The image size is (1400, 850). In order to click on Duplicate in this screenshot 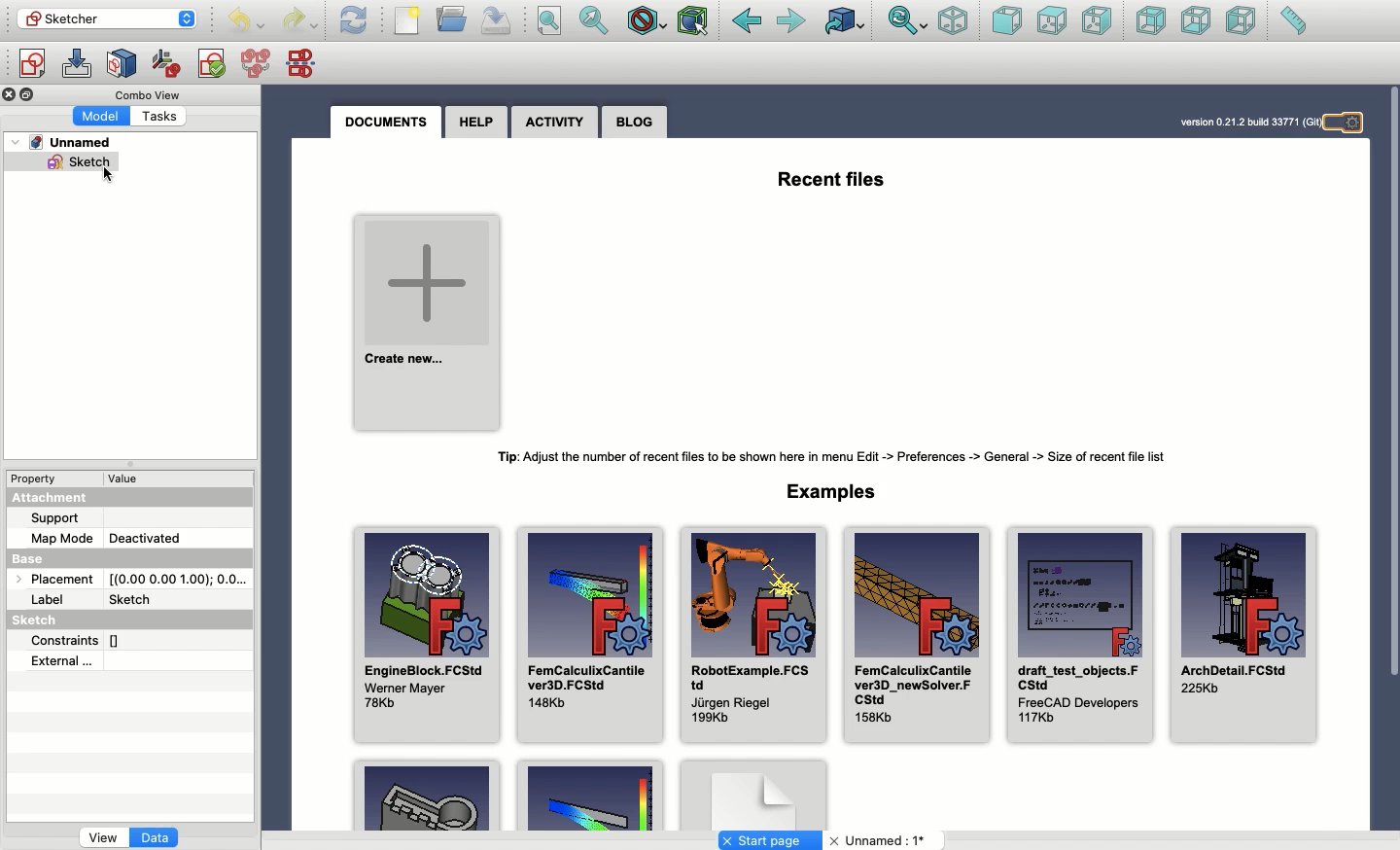, I will do `click(30, 95)`.